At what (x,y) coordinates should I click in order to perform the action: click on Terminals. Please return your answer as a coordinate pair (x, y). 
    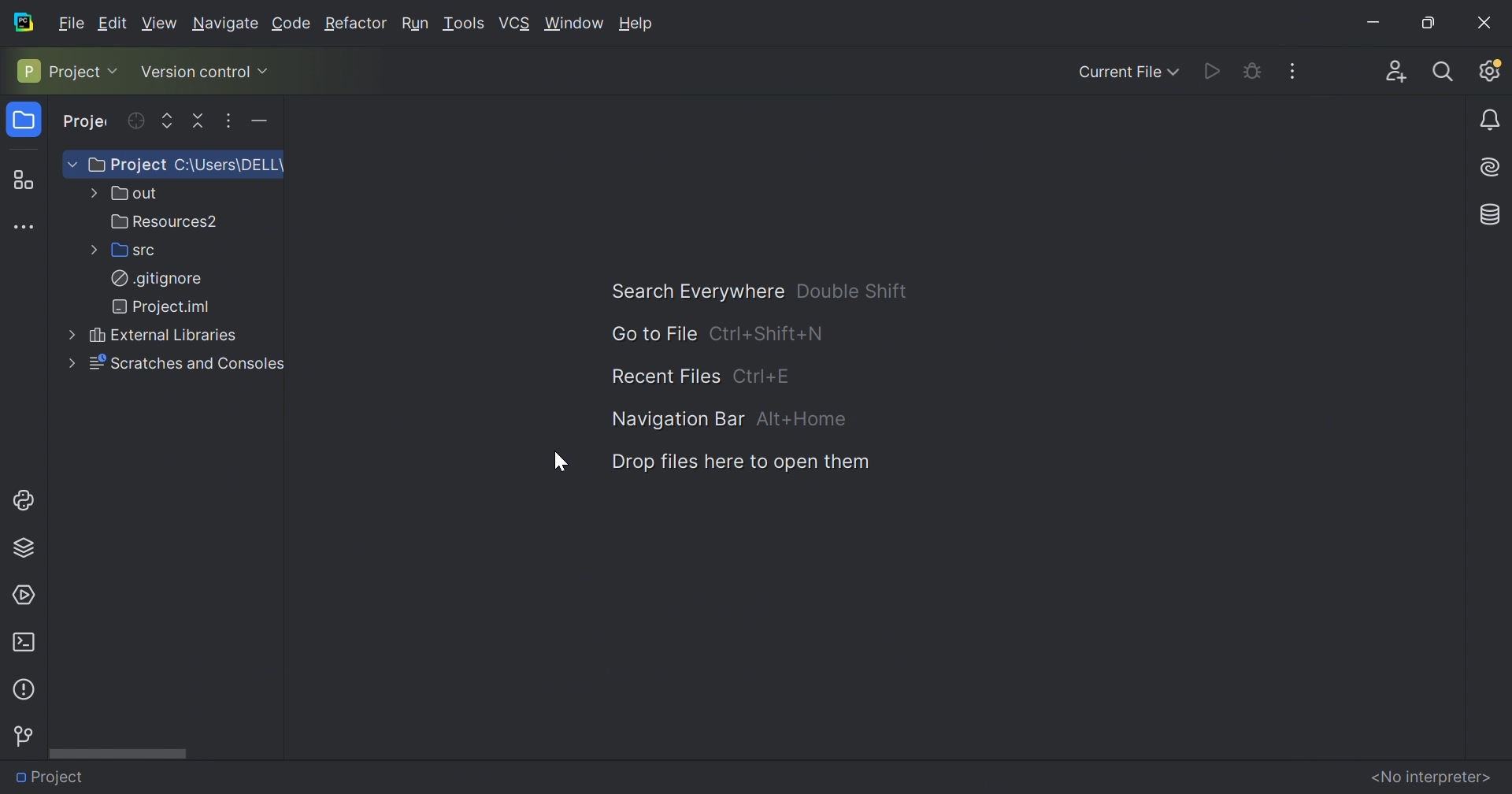
    Looking at the image, I should click on (23, 641).